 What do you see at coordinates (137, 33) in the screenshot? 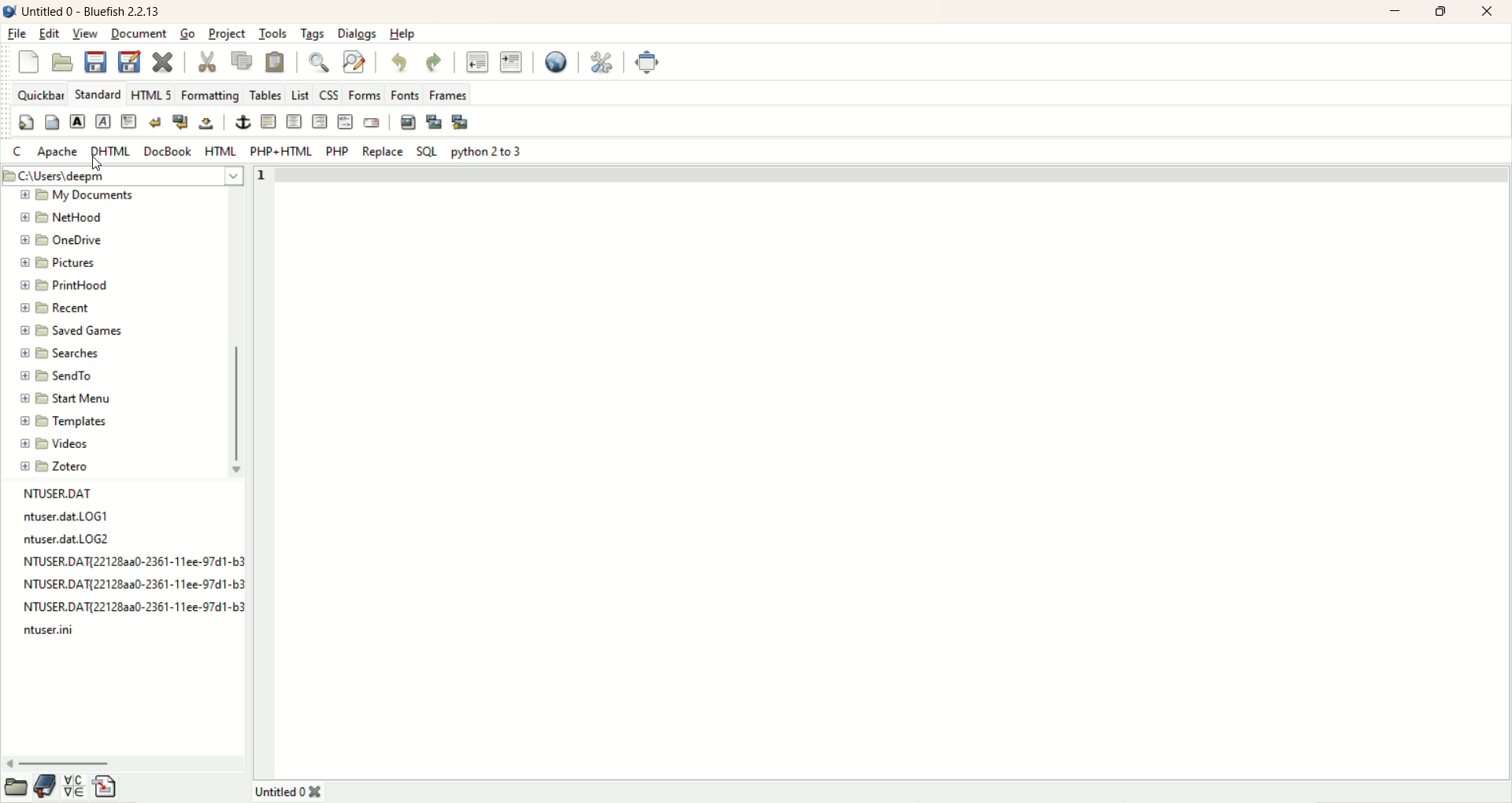
I see `document` at bounding box center [137, 33].